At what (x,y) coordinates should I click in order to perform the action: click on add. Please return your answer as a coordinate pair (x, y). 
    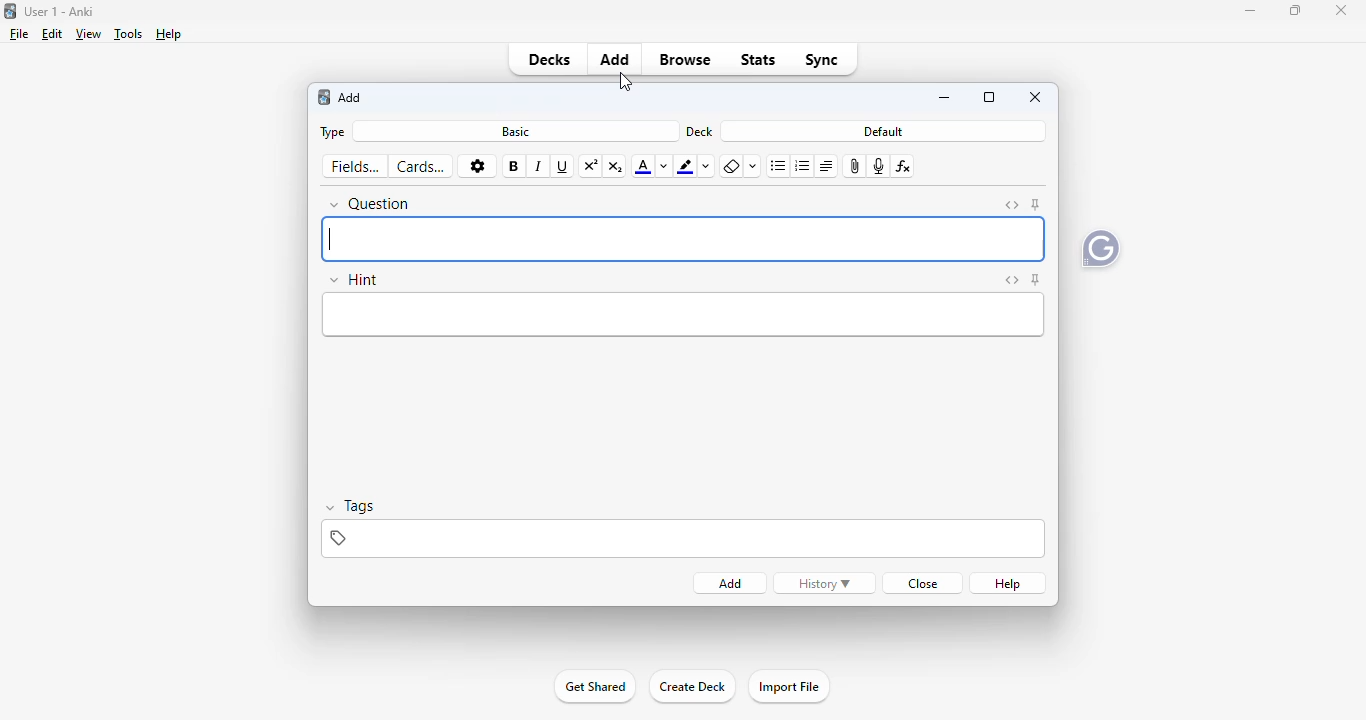
    Looking at the image, I should click on (349, 97).